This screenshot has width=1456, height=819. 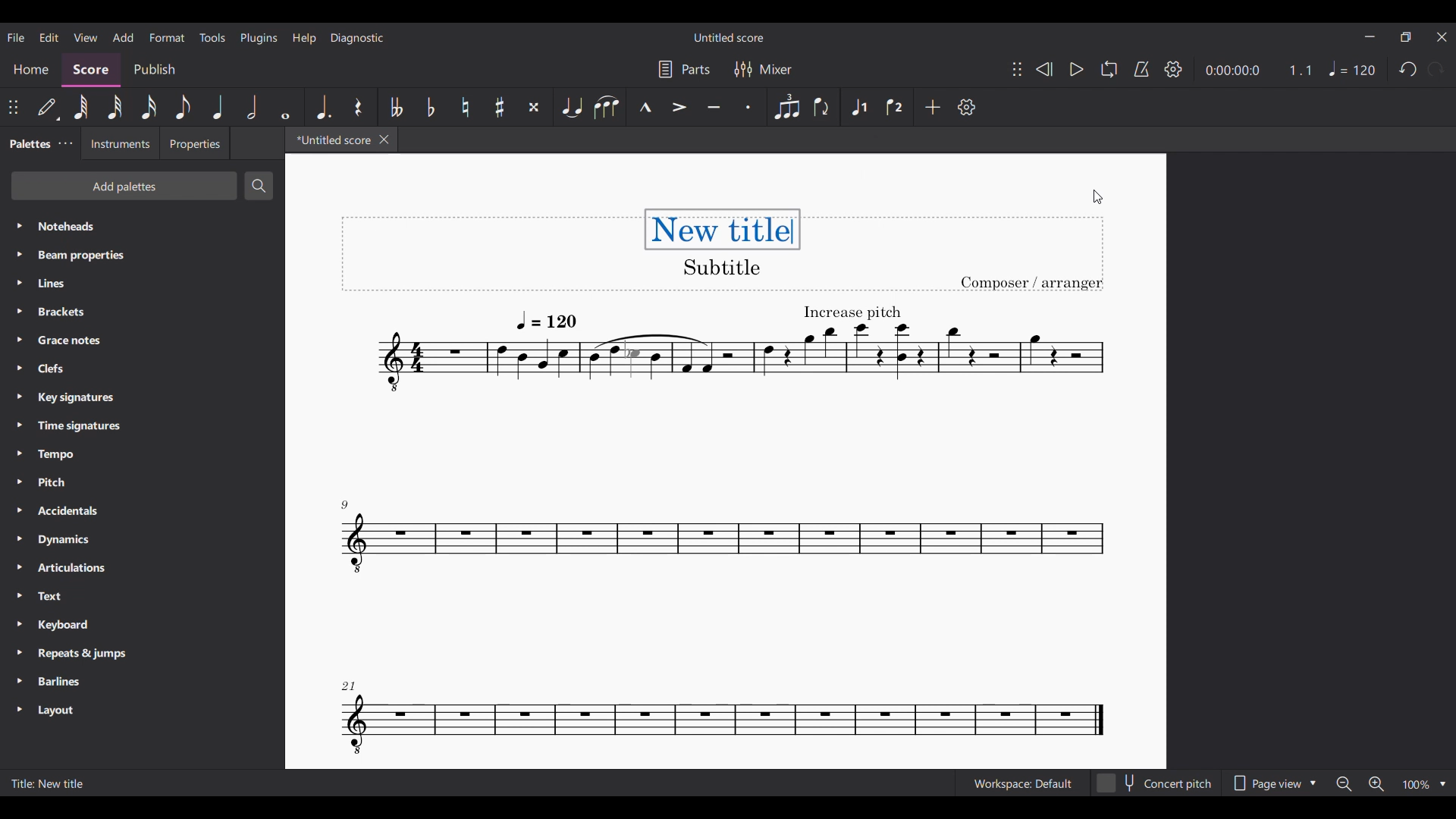 I want to click on Zoom out, so click(x=1345, y=783).